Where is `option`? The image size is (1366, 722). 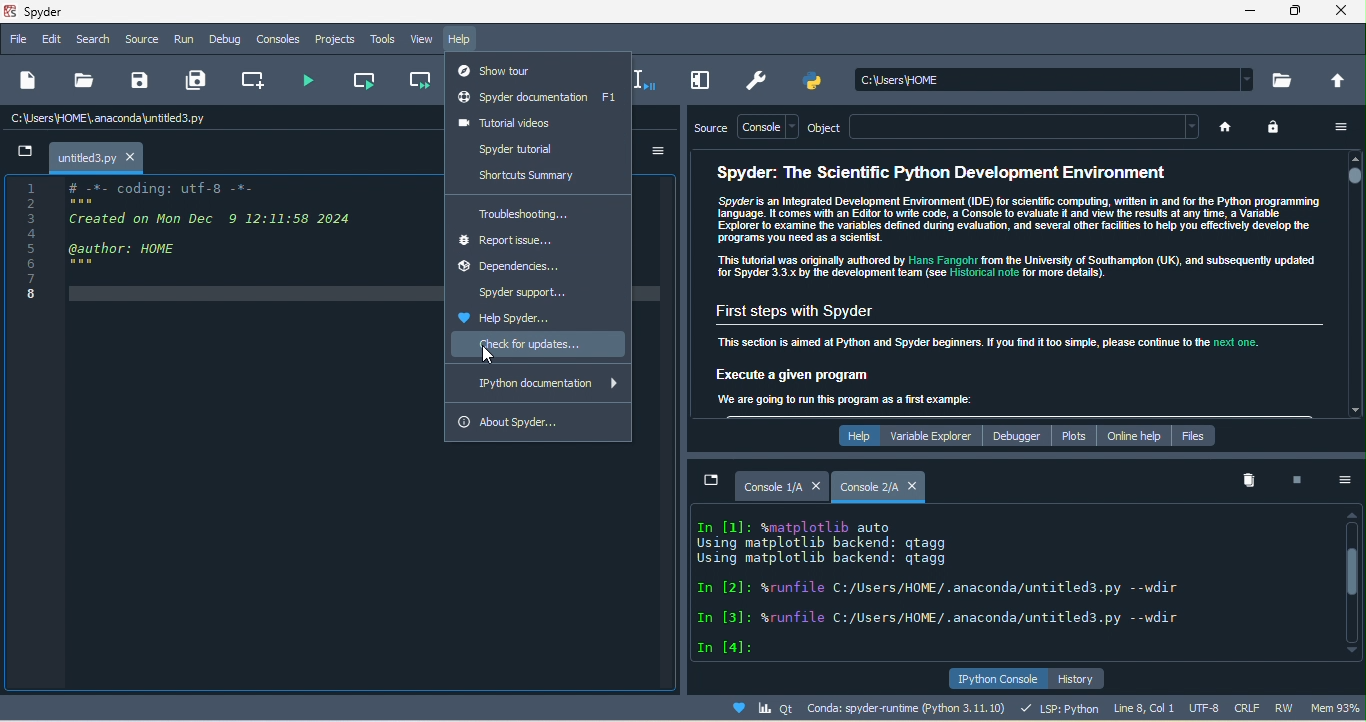
option is located at coordinates (1345, 483).